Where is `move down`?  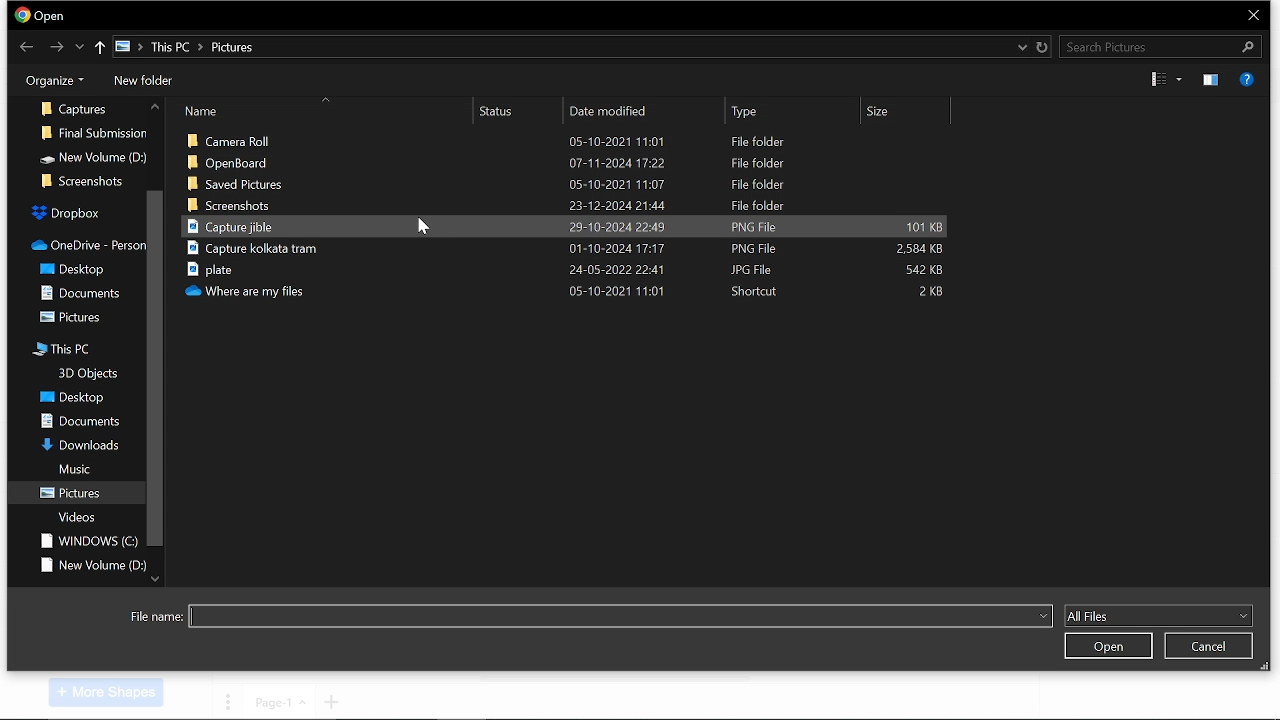 move down is located at coordinates (155, 578).